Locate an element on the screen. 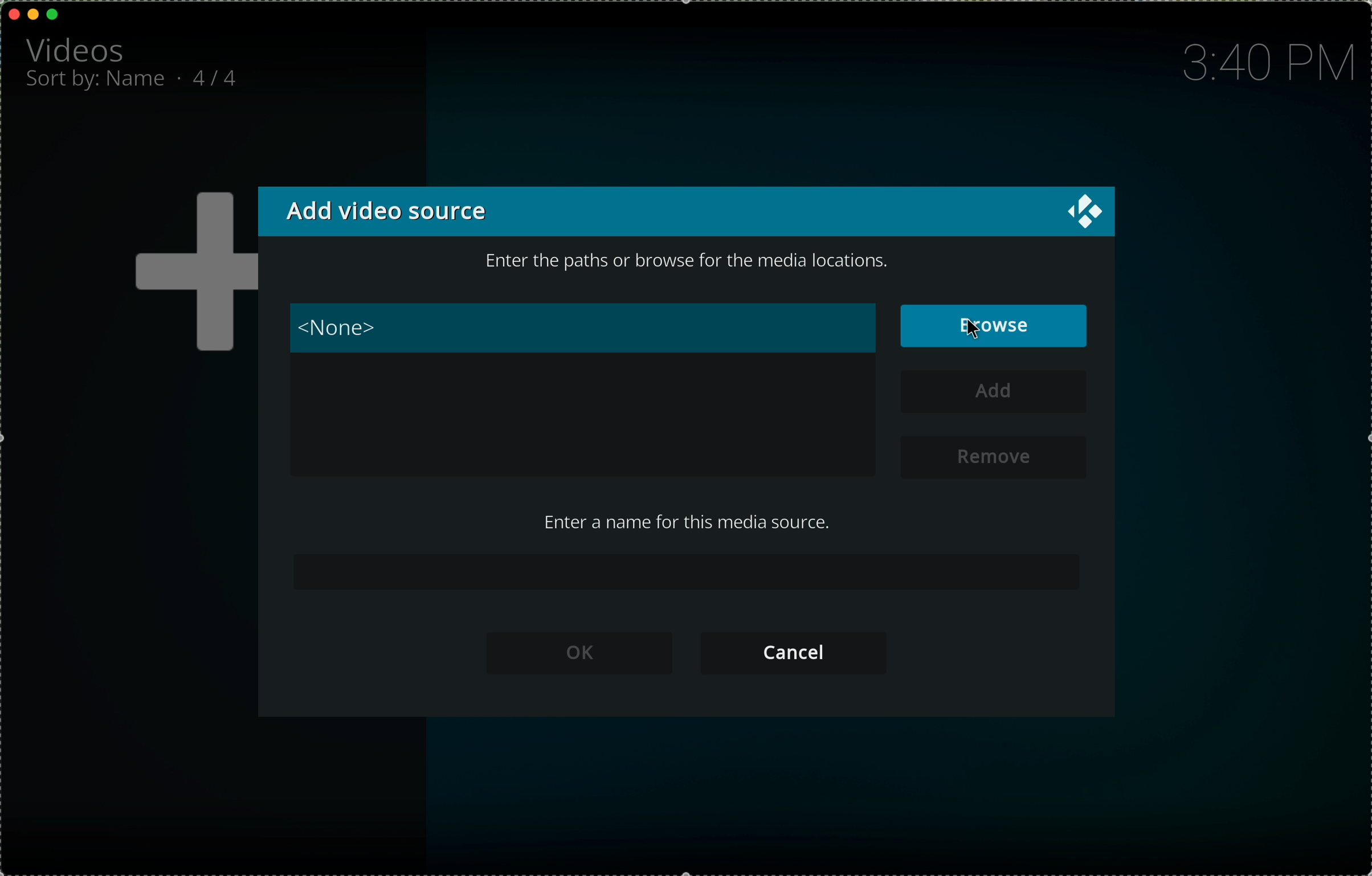 This screenshot has height=876, width=1372. OK is located at coordinates (586, 654).